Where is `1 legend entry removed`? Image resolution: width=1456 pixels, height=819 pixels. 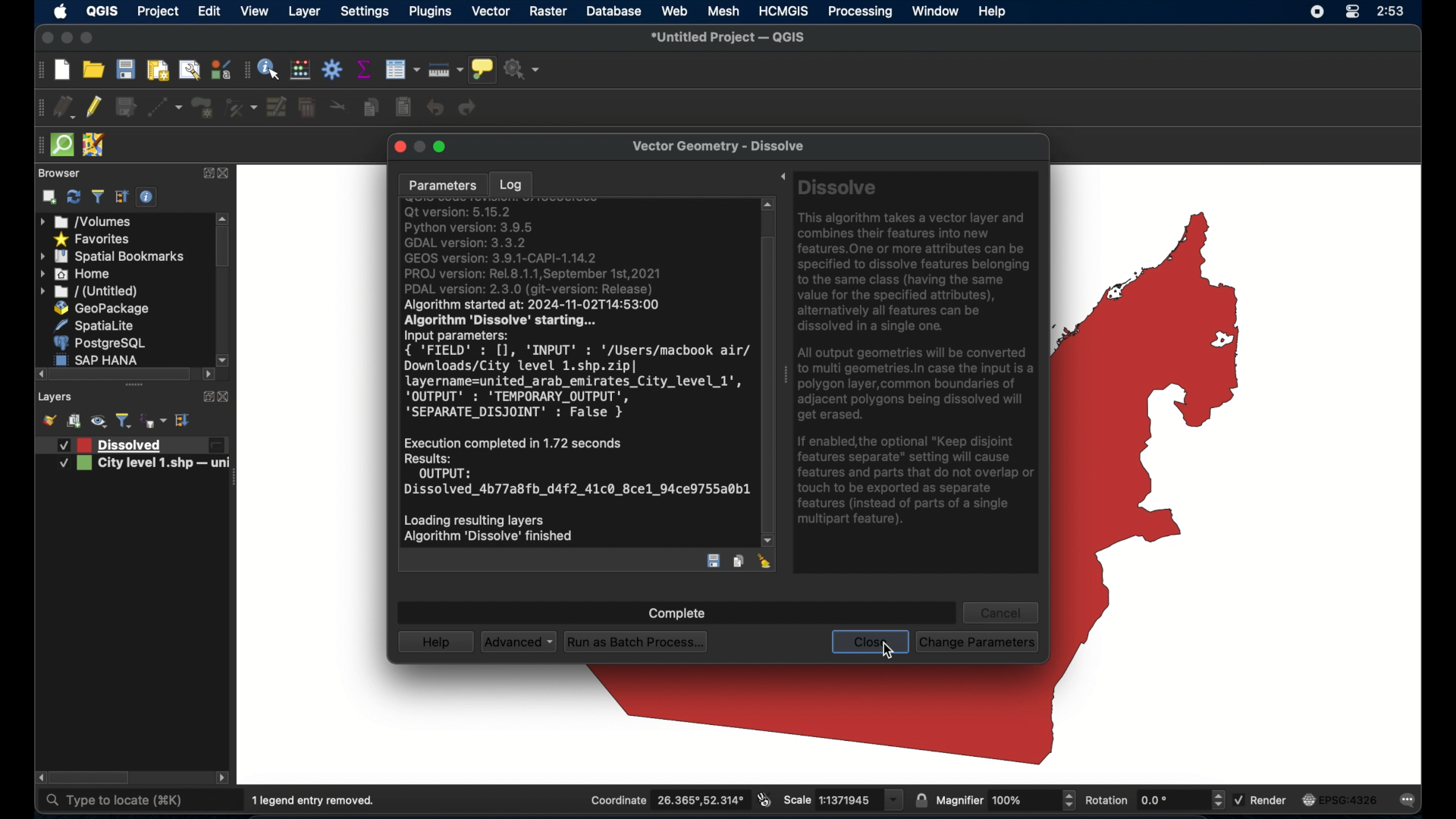 1 legend entry removed is located at coordinates (315, 801).